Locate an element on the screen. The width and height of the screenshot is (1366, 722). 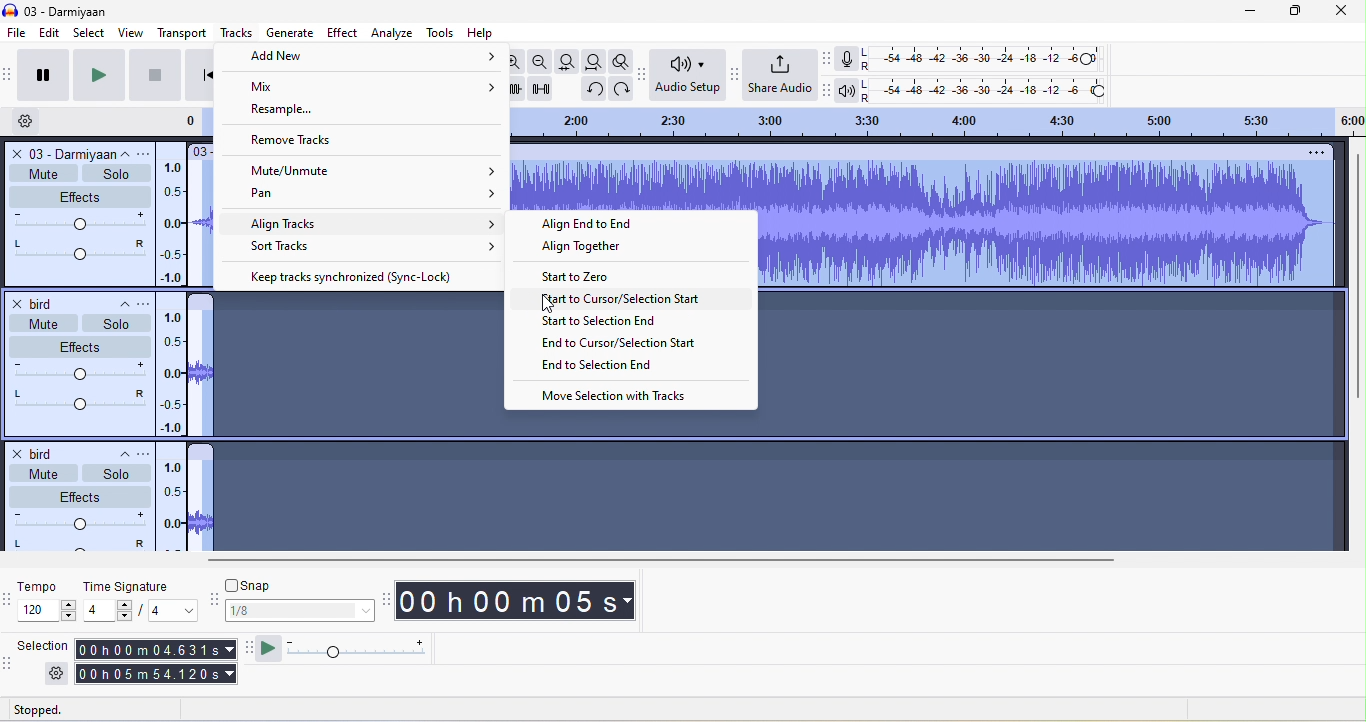
align end to end is located at coordinates (597, 226).